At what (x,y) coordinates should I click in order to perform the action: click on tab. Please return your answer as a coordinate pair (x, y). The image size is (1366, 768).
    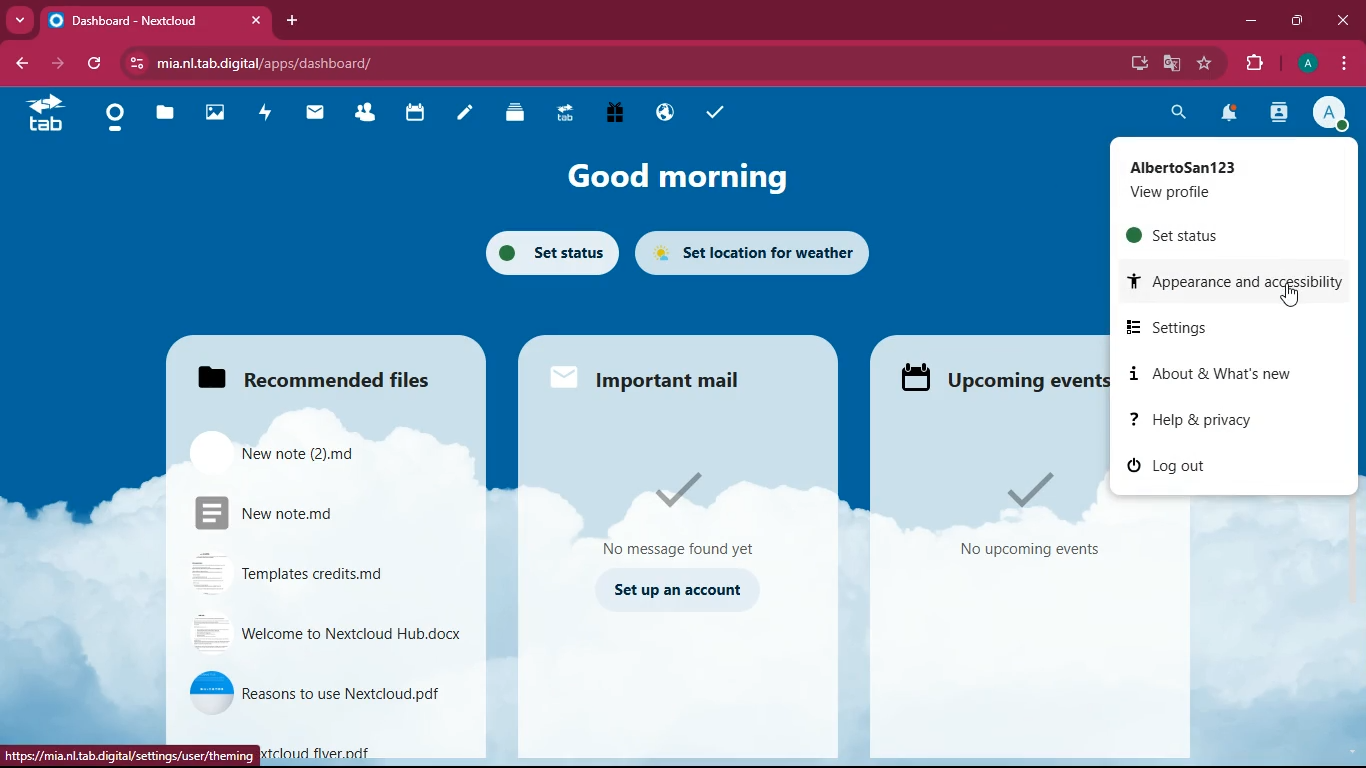
    Looking at the image, I should click on (146, 20).